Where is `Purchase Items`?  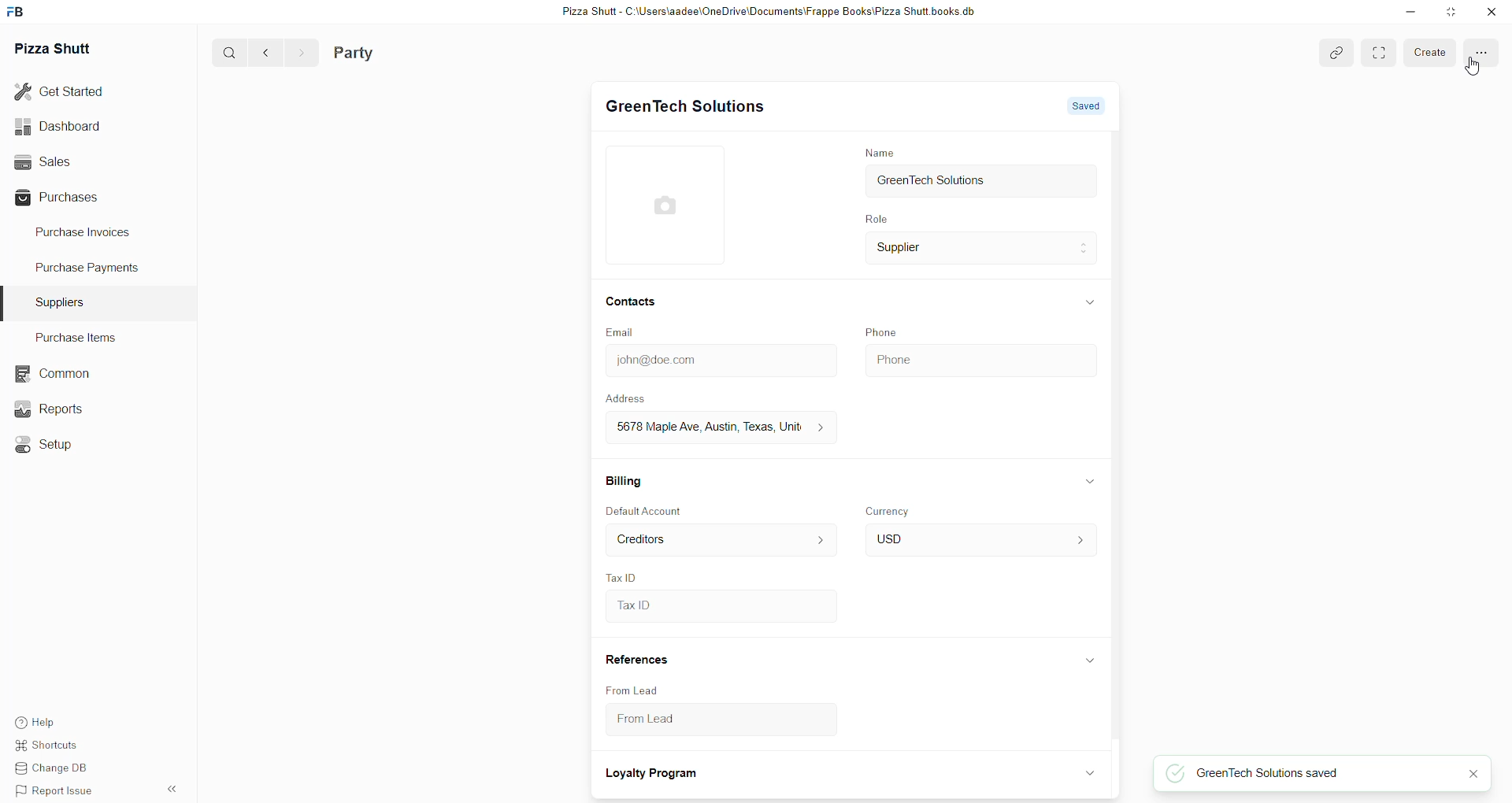 Purchase Items is located at coordinates (81, 337).